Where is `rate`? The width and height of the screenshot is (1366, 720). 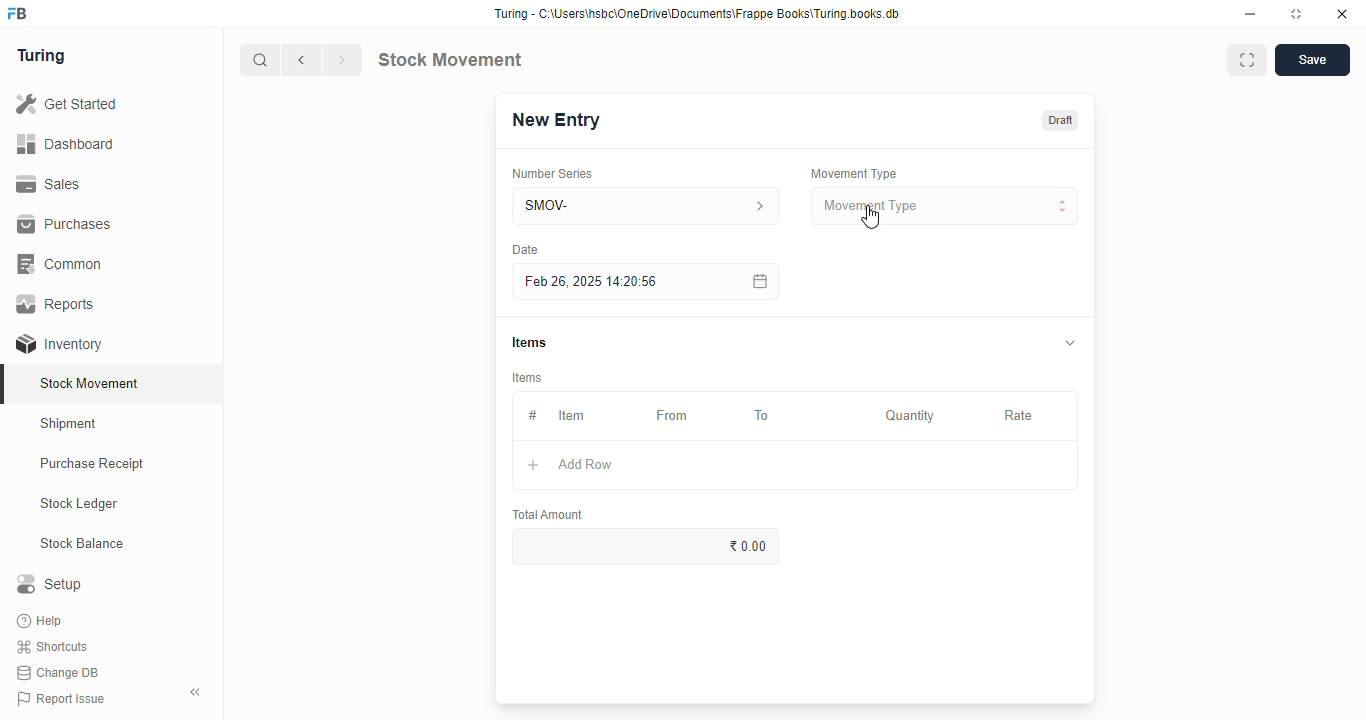 rate is located at coordinates (1019, 416).